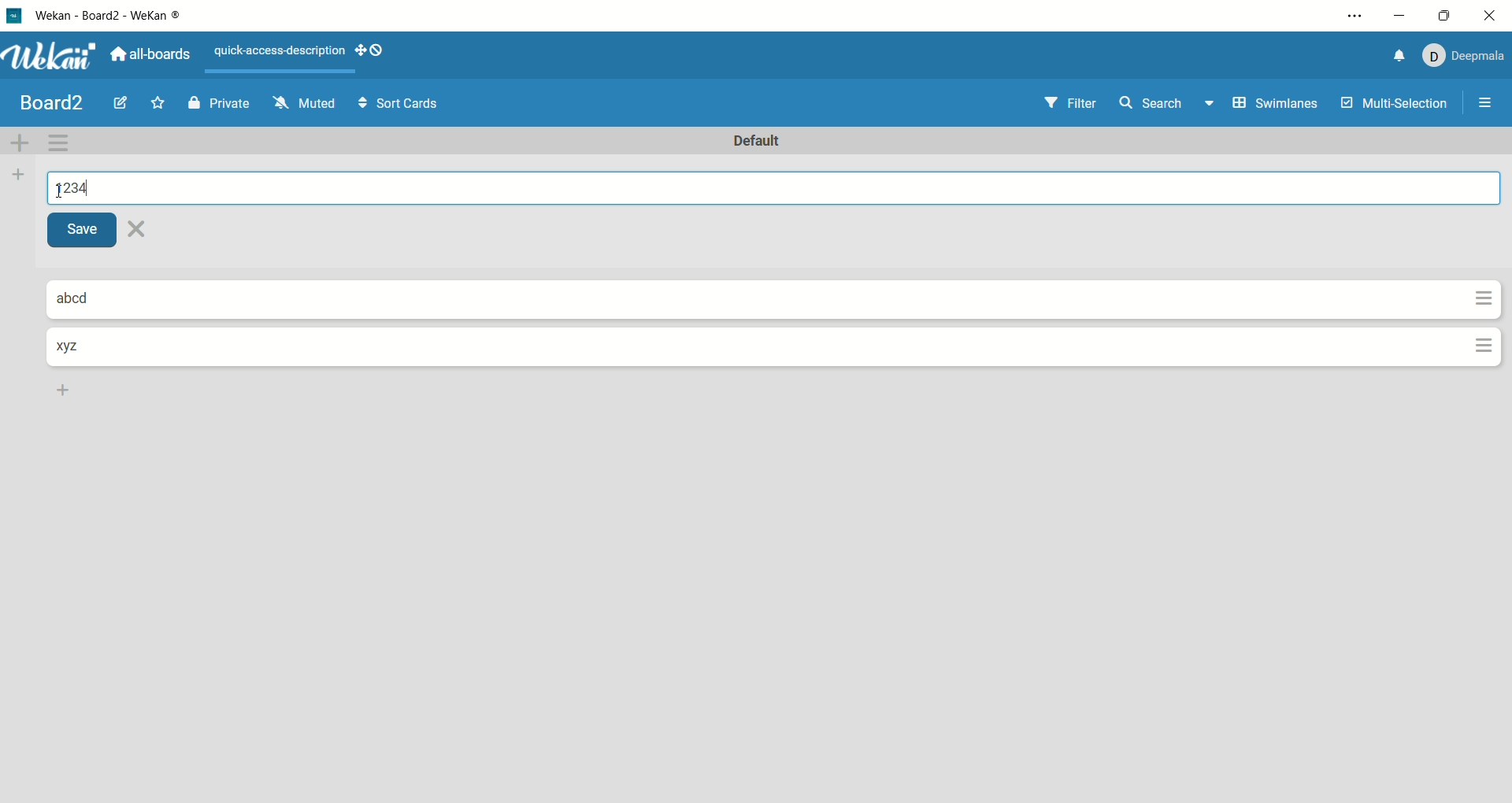 This screenshot has height=803, width=1512. Describe the element at coordinates (356, 50) in the screenshot. I see `show-desktp-drag-handles` at that location.